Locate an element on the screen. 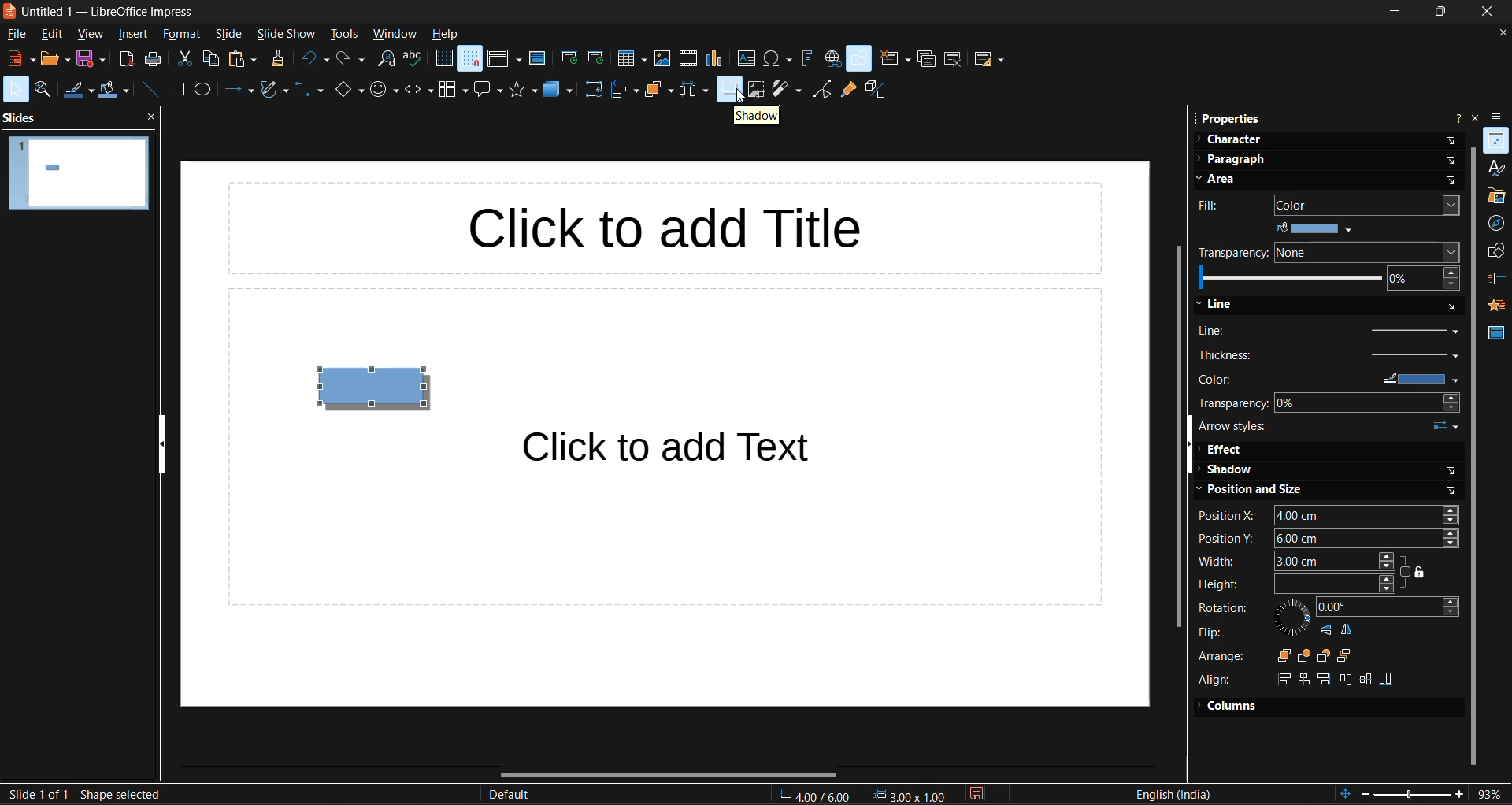 The width and height of the screenshot is (1512, 805). arrow styles is located at coordinates (1236, 427).